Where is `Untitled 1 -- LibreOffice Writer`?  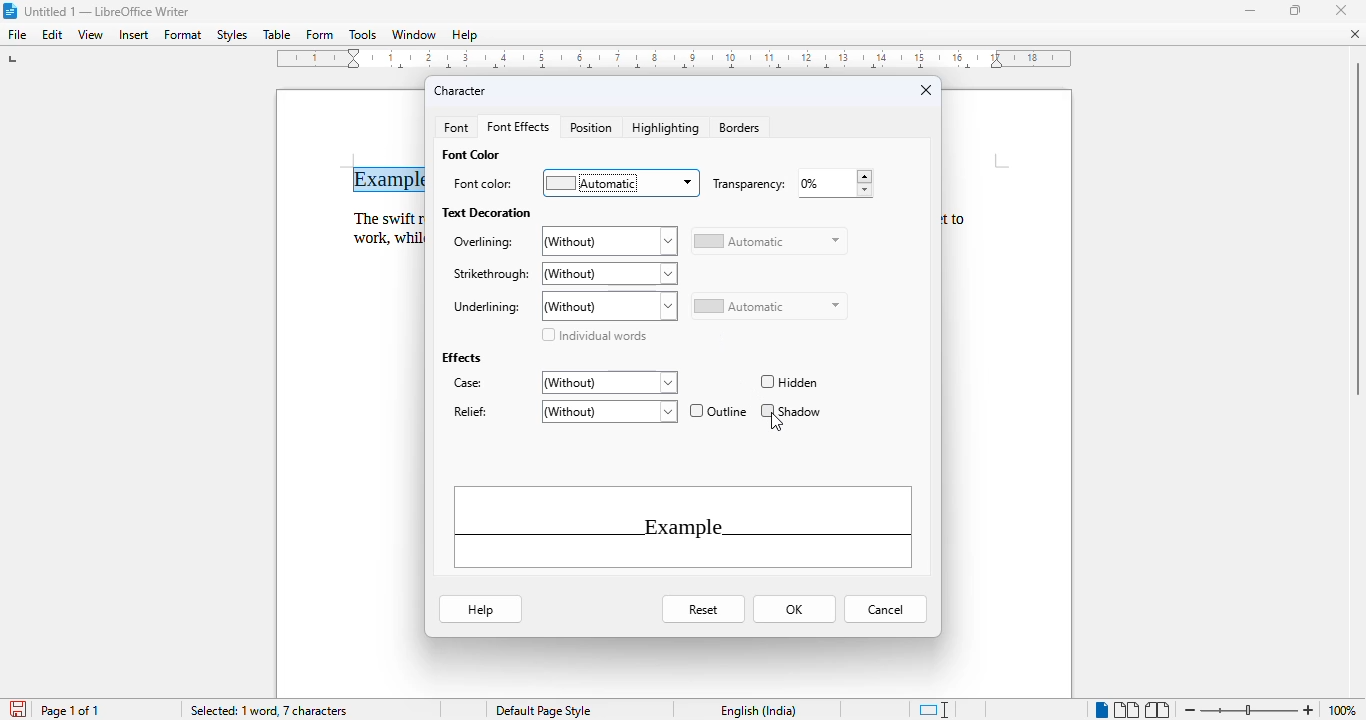 Untitled 1 -- LibreOffice Writer is located at coordinates (109, 11).